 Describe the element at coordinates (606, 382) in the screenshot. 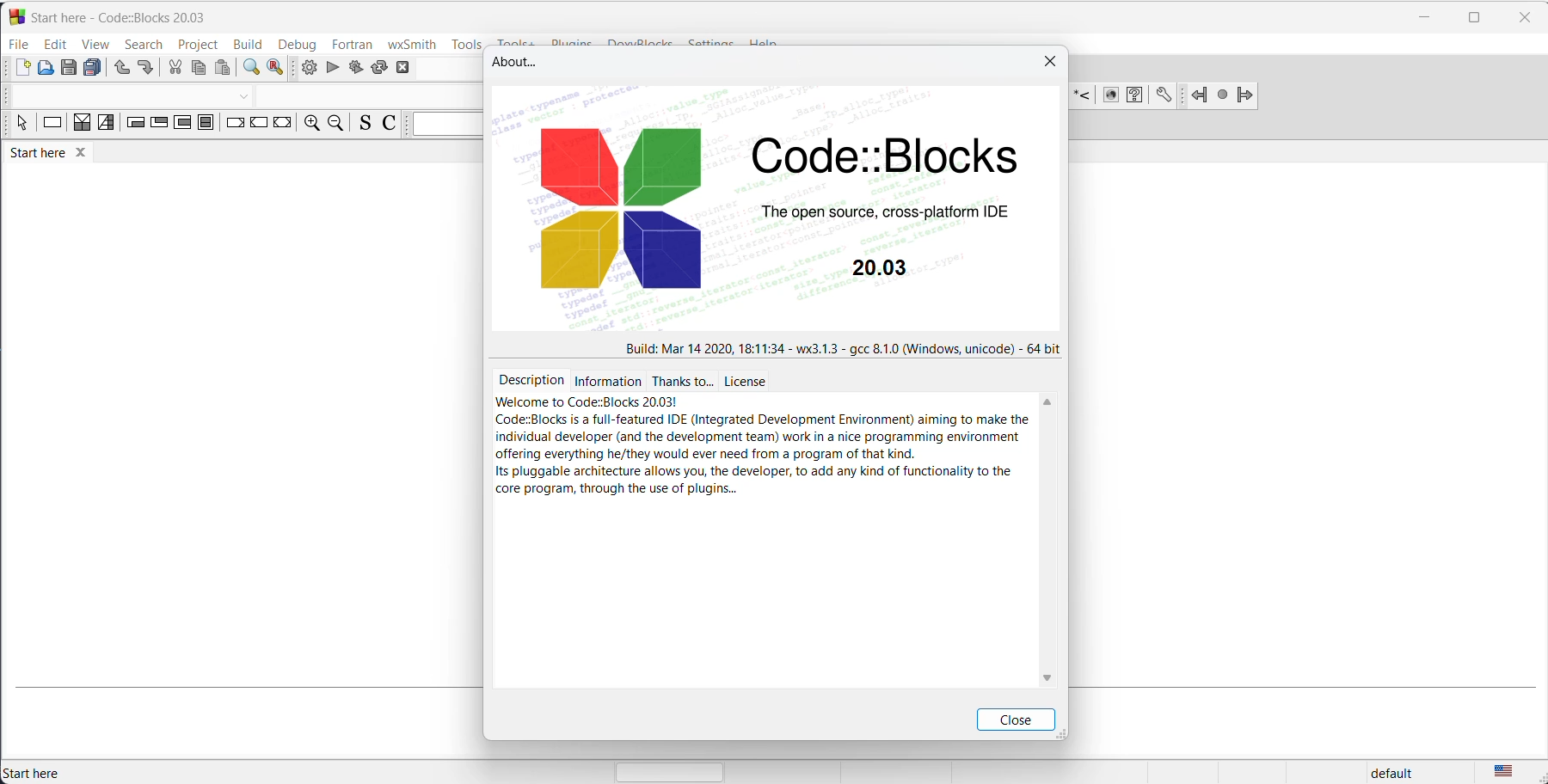

I see `Information` at that location.